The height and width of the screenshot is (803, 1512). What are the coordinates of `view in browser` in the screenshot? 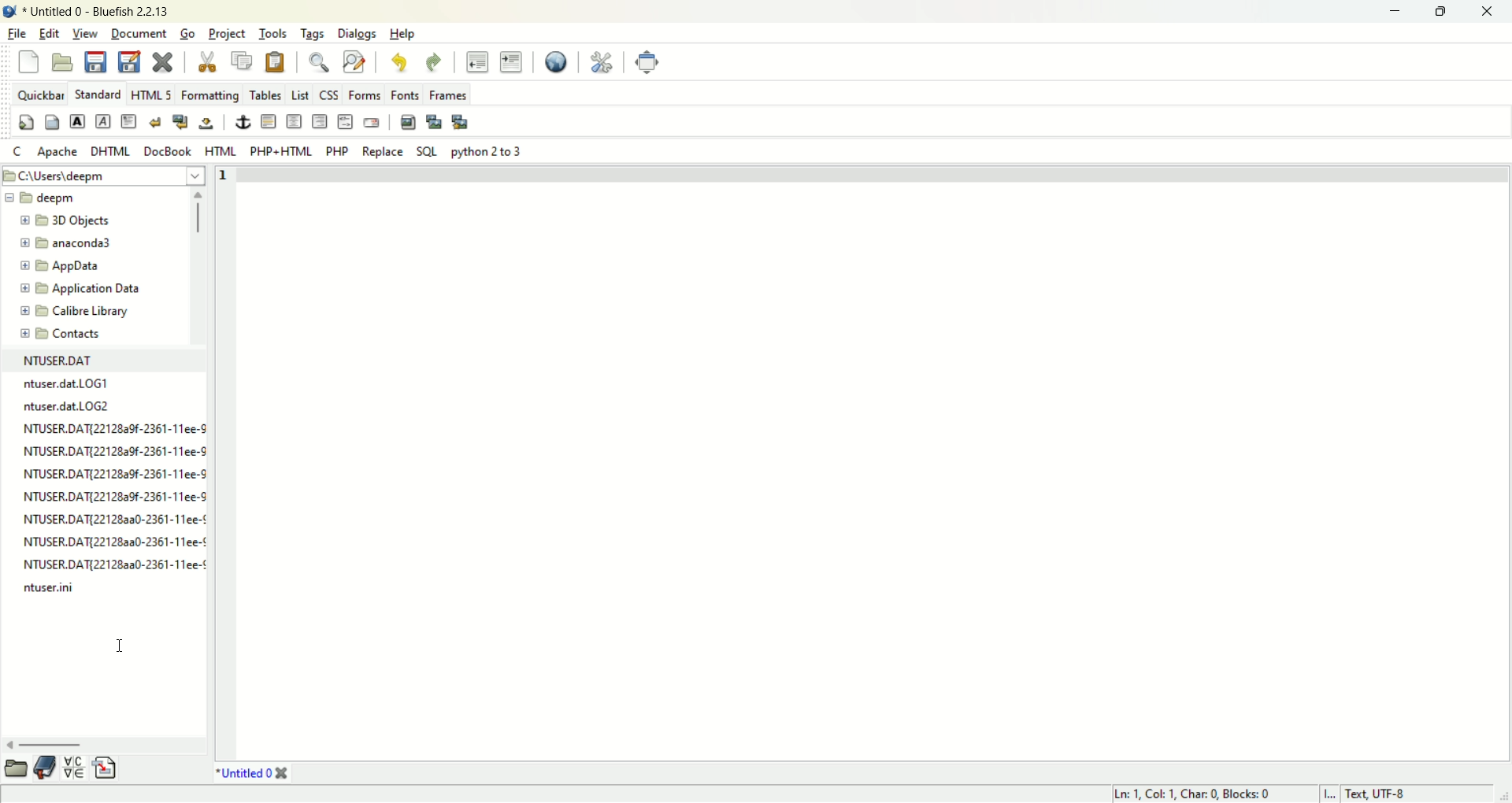 It's located at (558, 63).